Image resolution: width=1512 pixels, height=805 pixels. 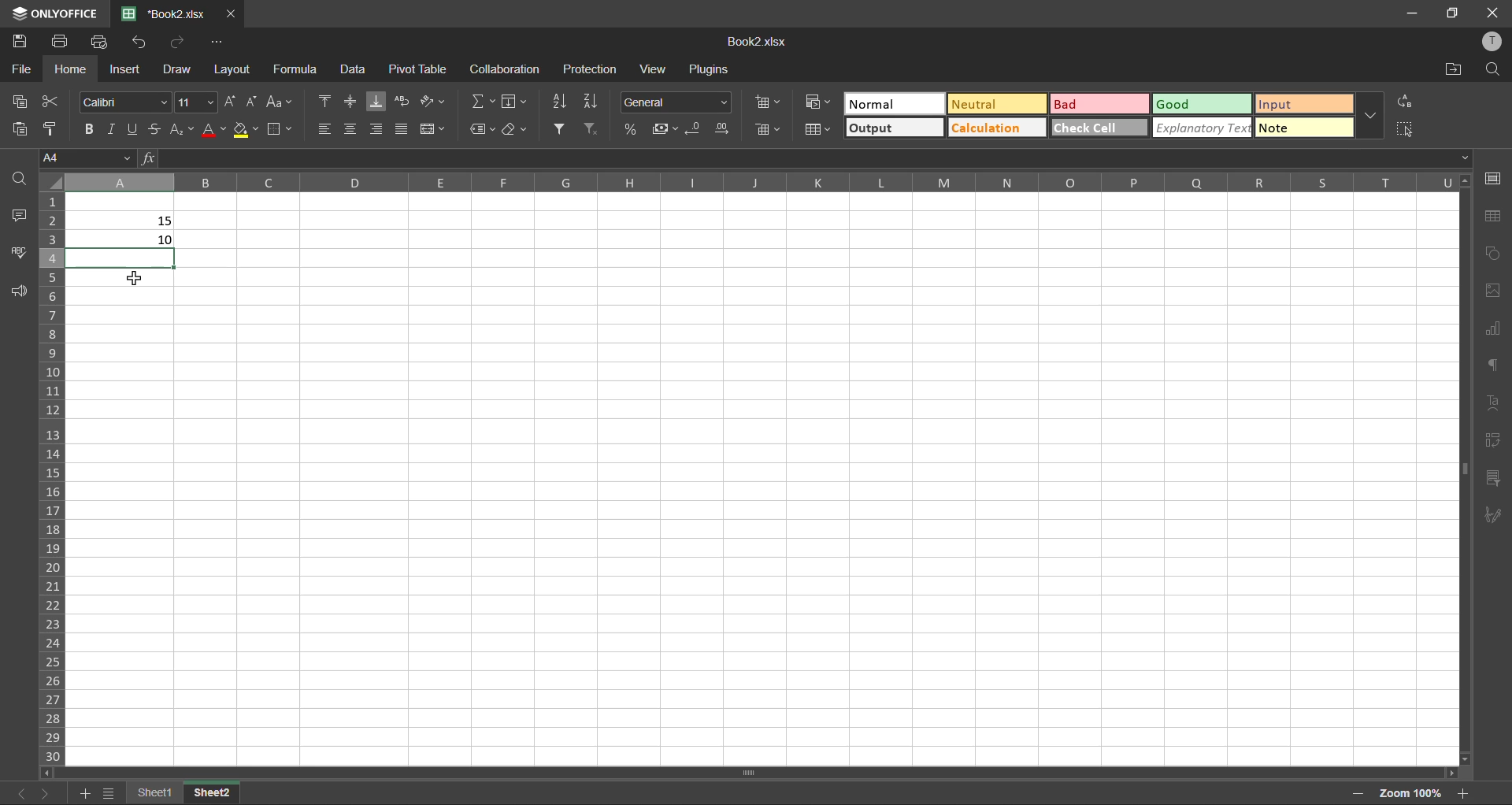 I want to click on minimize, so click(x=1410, y=12).